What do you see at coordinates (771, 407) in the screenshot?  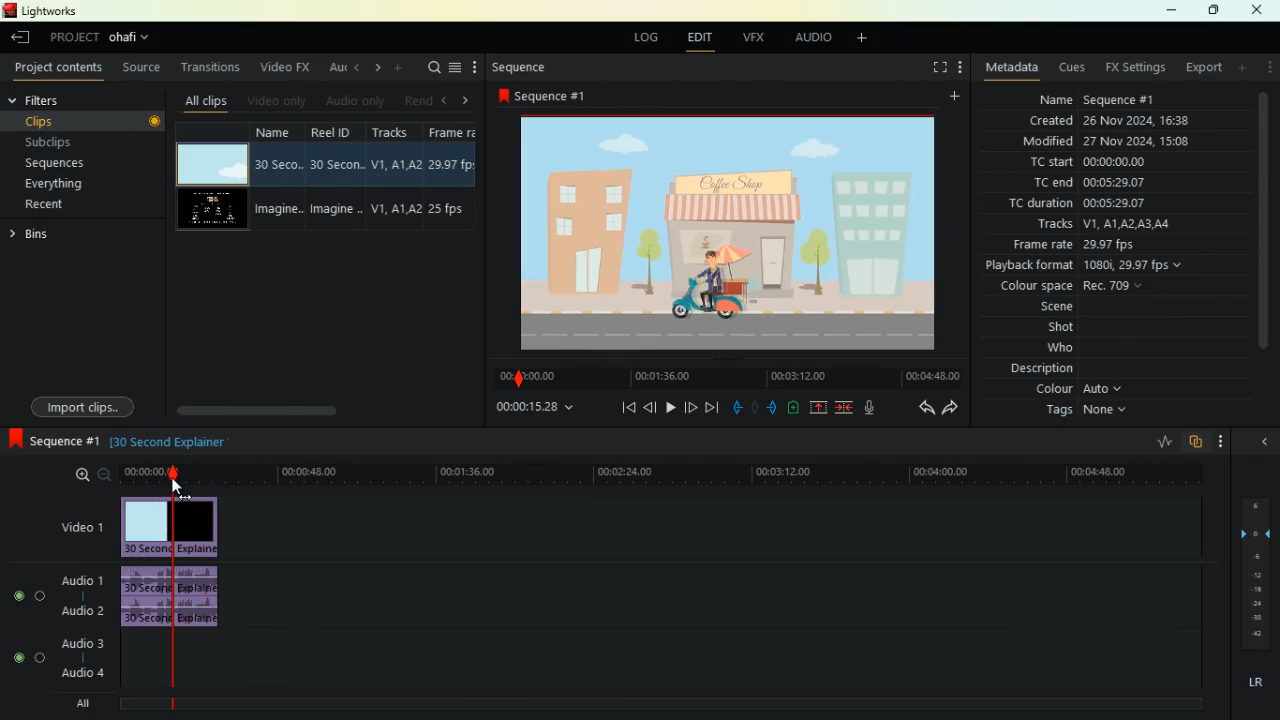 I see `push` at bounding box center [771, 407].